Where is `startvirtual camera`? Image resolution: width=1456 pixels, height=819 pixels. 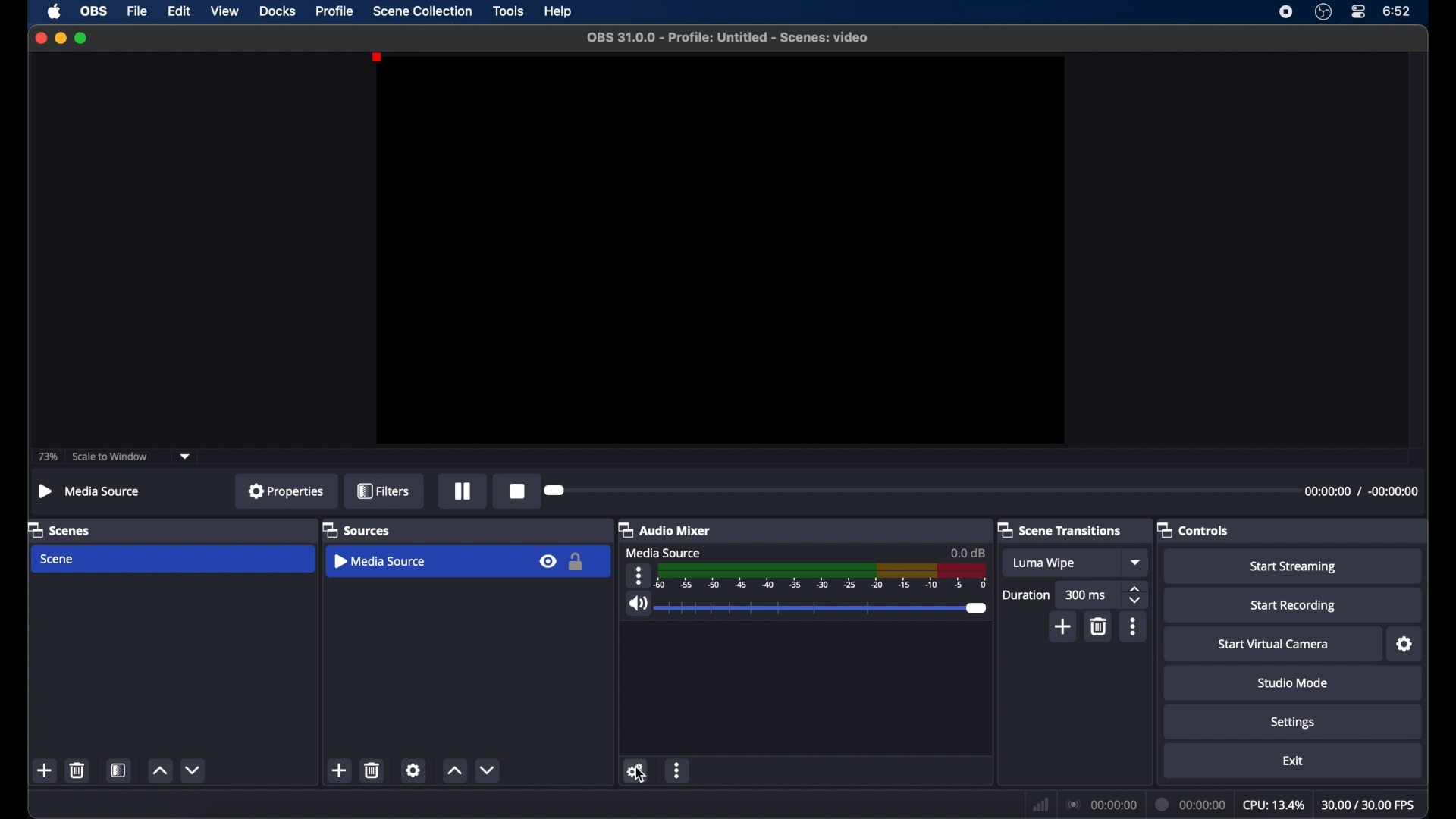 startvirtual camera is located at coordinates (1272, 645).